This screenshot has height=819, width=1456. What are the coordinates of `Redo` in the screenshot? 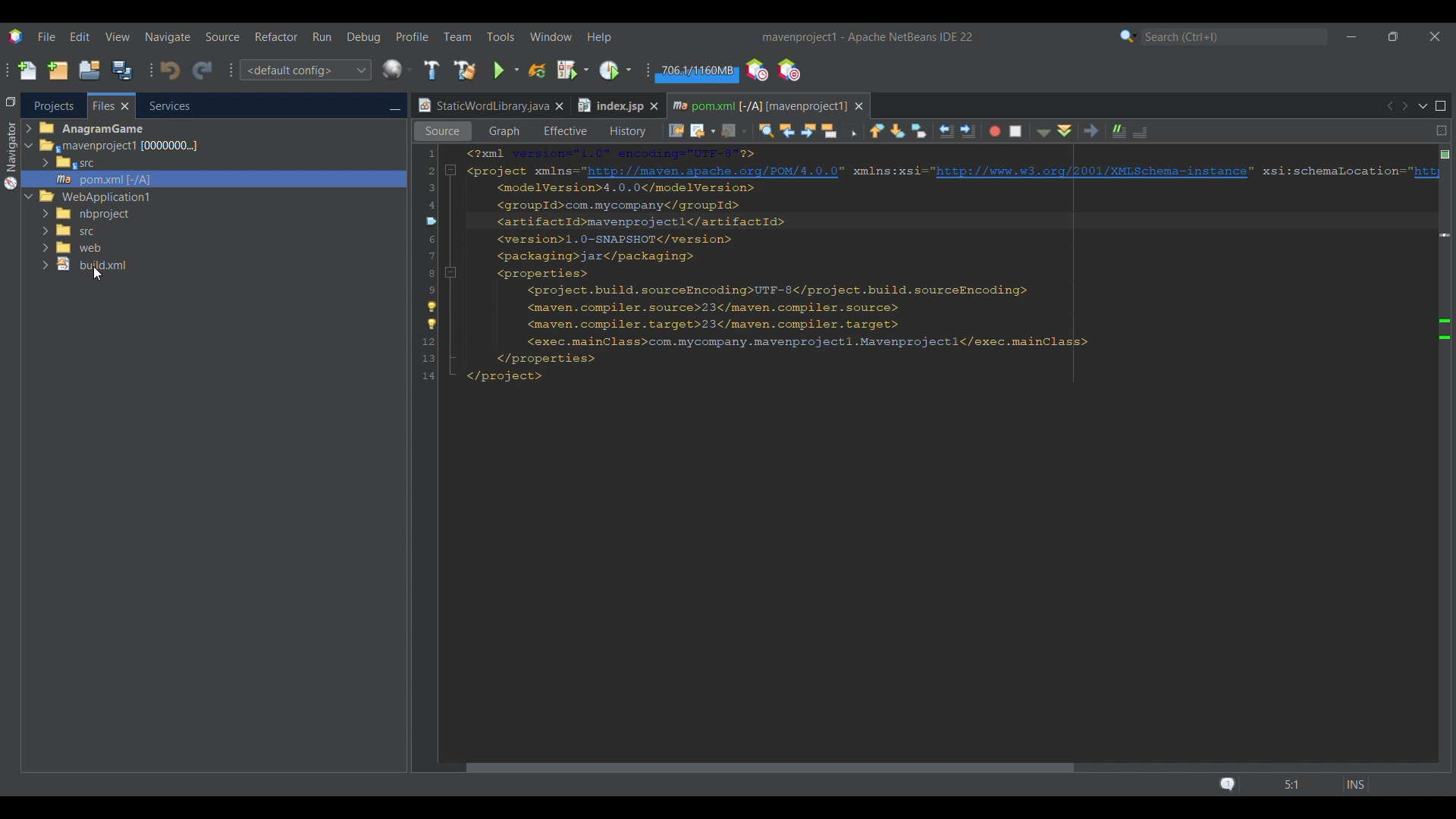 It's located at (202, 71).